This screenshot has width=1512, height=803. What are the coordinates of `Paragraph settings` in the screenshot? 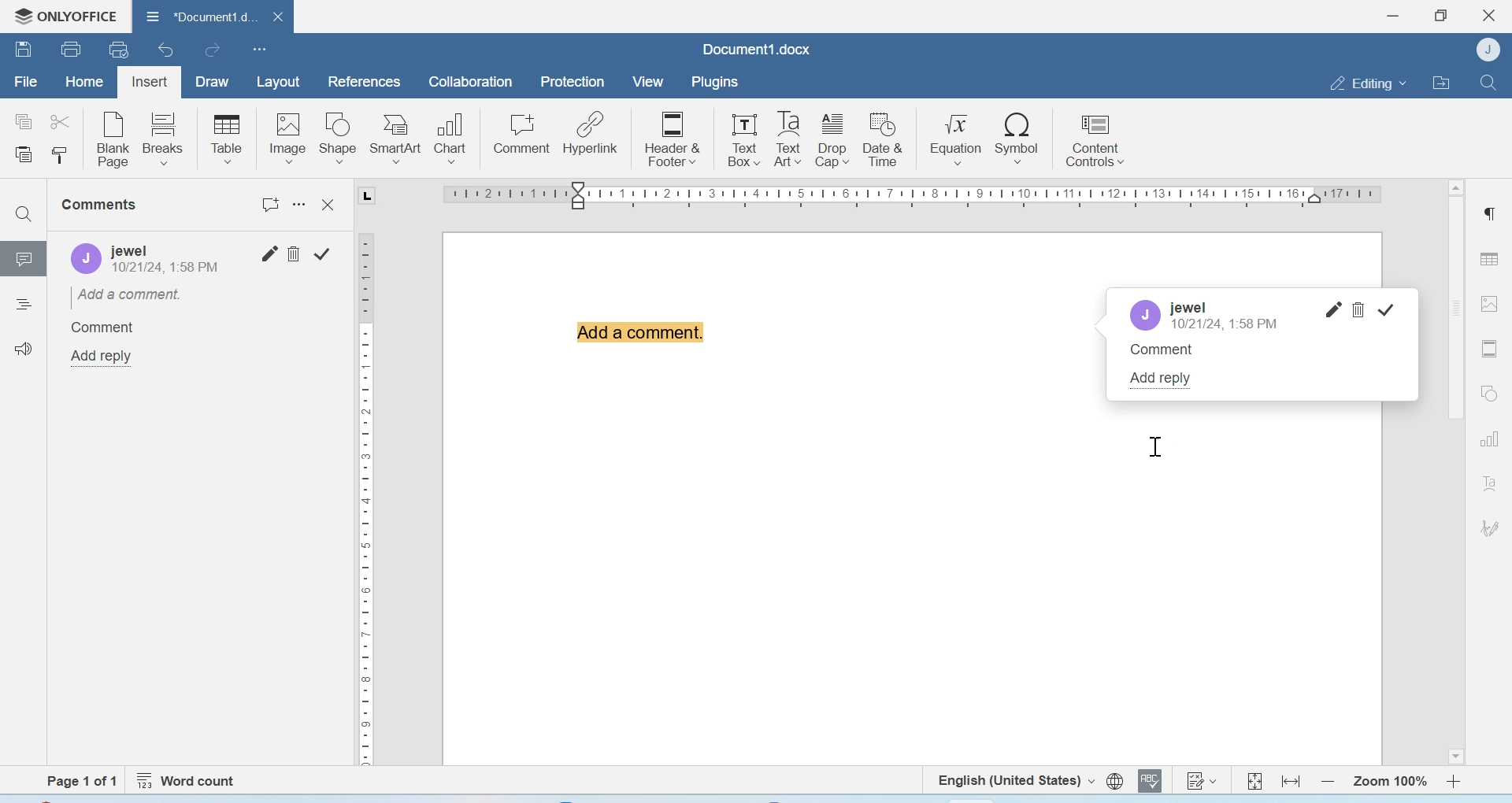 It's located at (1488, 213).